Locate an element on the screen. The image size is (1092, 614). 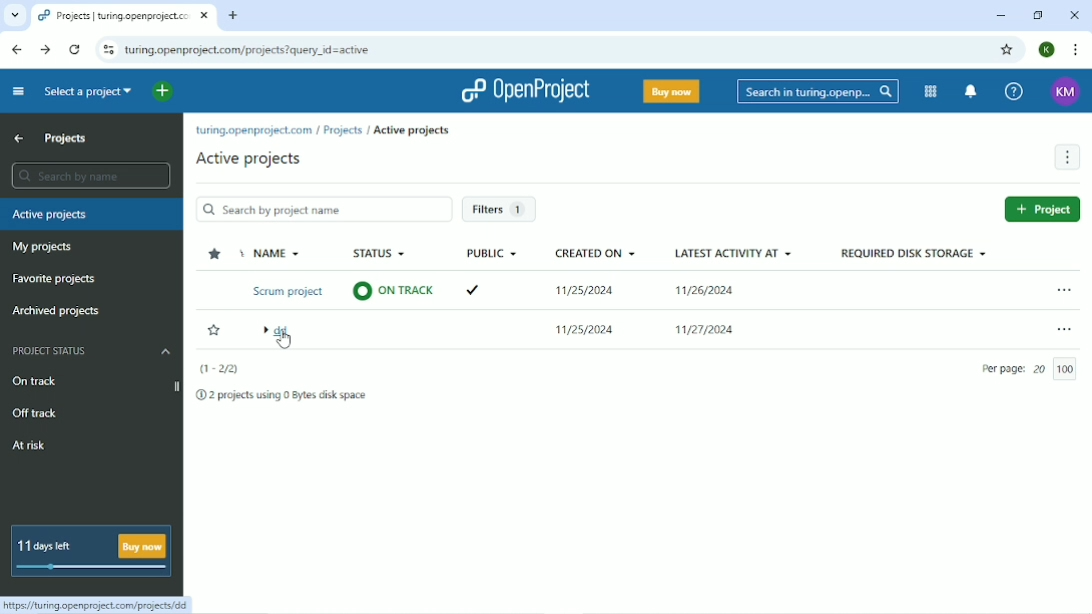
On track is located at coordinates (42, 380).